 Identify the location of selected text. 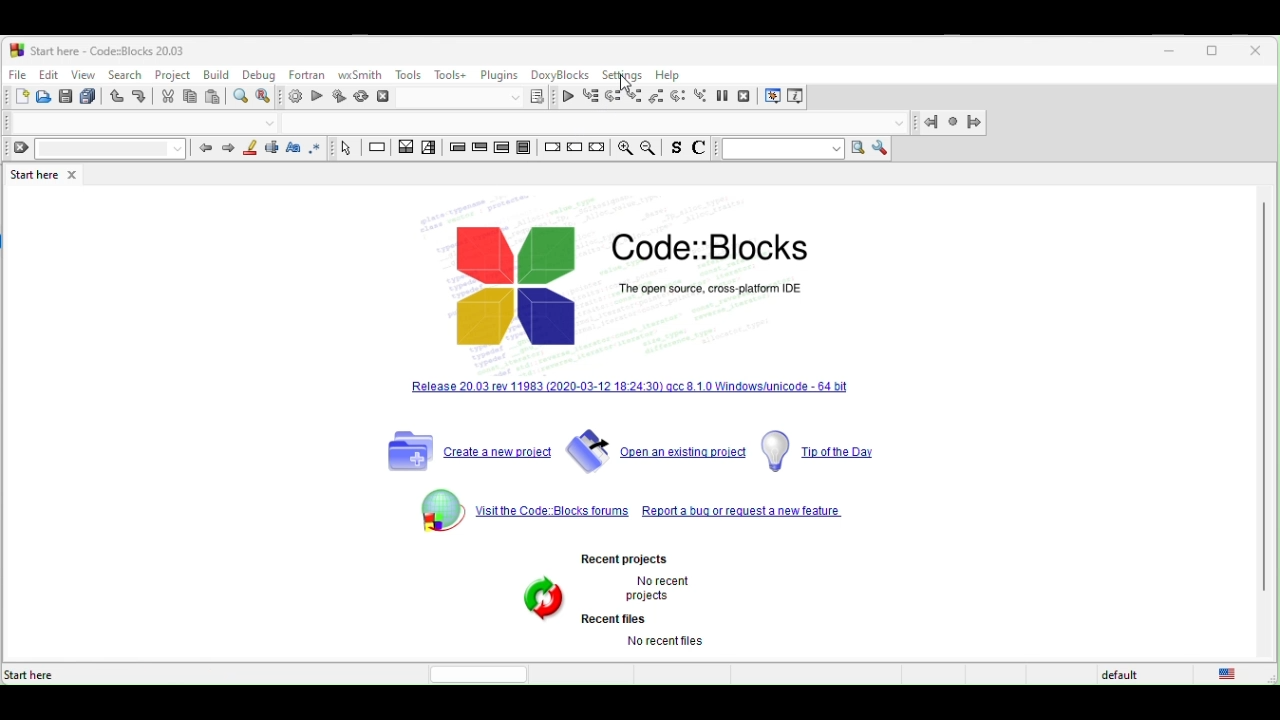
(273, 149).